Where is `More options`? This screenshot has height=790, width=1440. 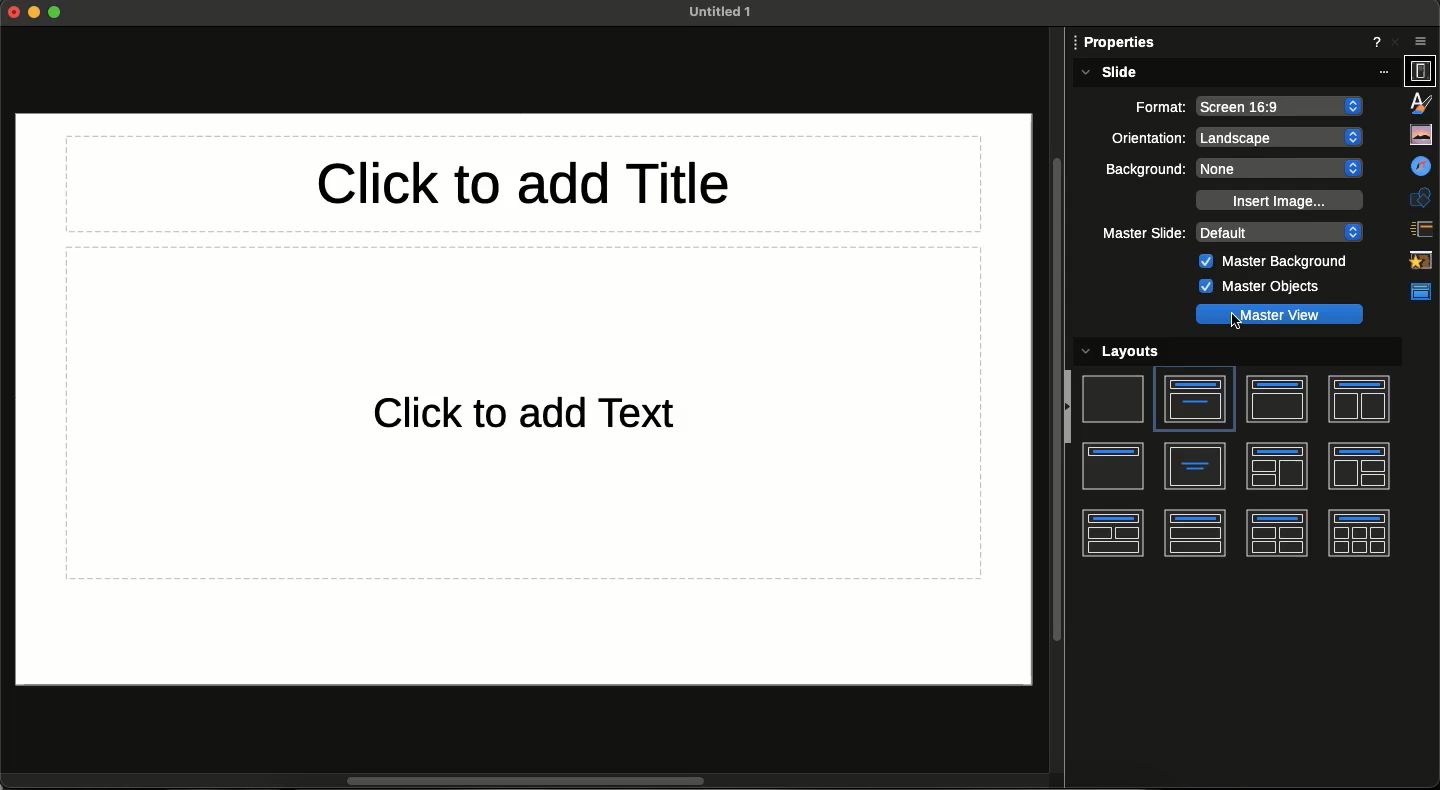
More options is located at coordinates (1387, 71).